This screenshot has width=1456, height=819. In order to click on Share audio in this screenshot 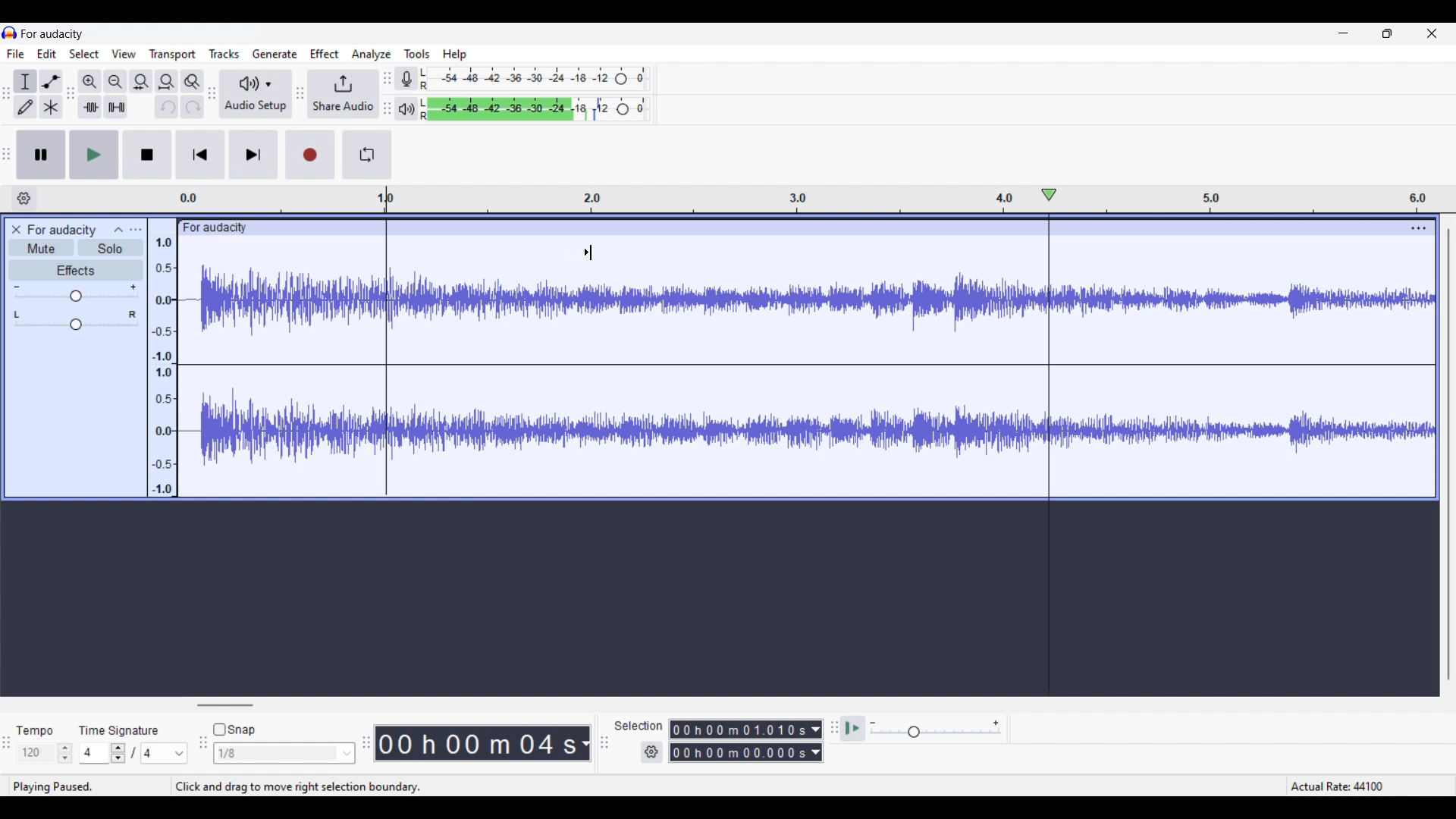, I will do `click(342, 94)`.